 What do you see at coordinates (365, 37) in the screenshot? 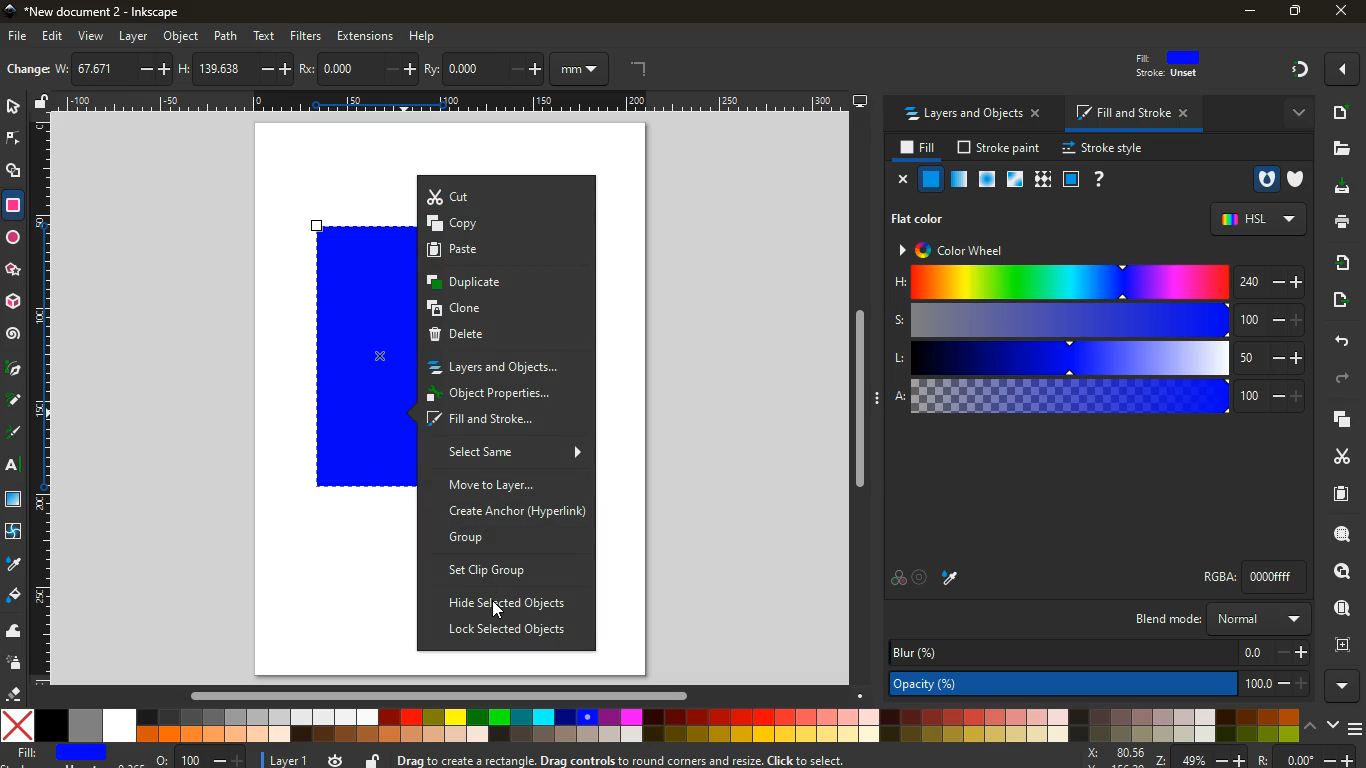
I see `extensions` at bounding box center [365, 37].